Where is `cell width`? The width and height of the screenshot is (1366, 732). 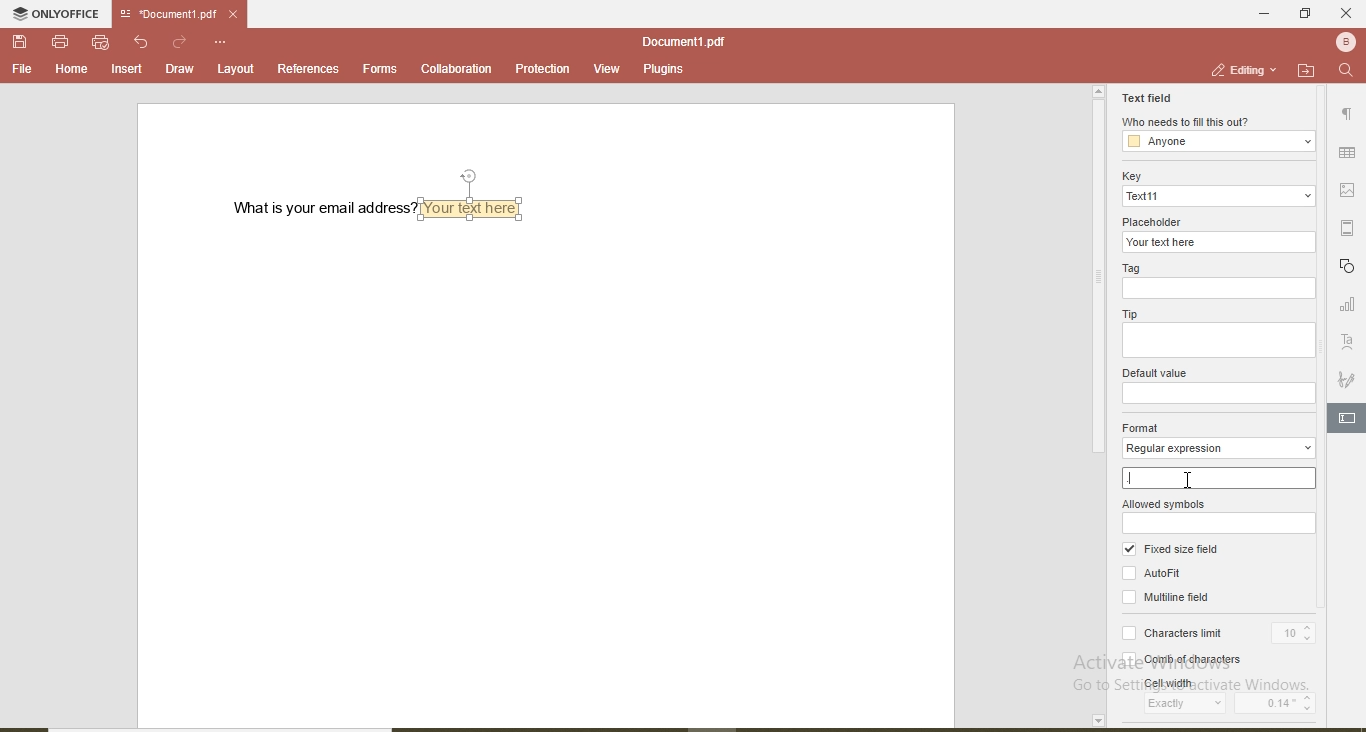 cell width is located at coordinates (1178, 682).